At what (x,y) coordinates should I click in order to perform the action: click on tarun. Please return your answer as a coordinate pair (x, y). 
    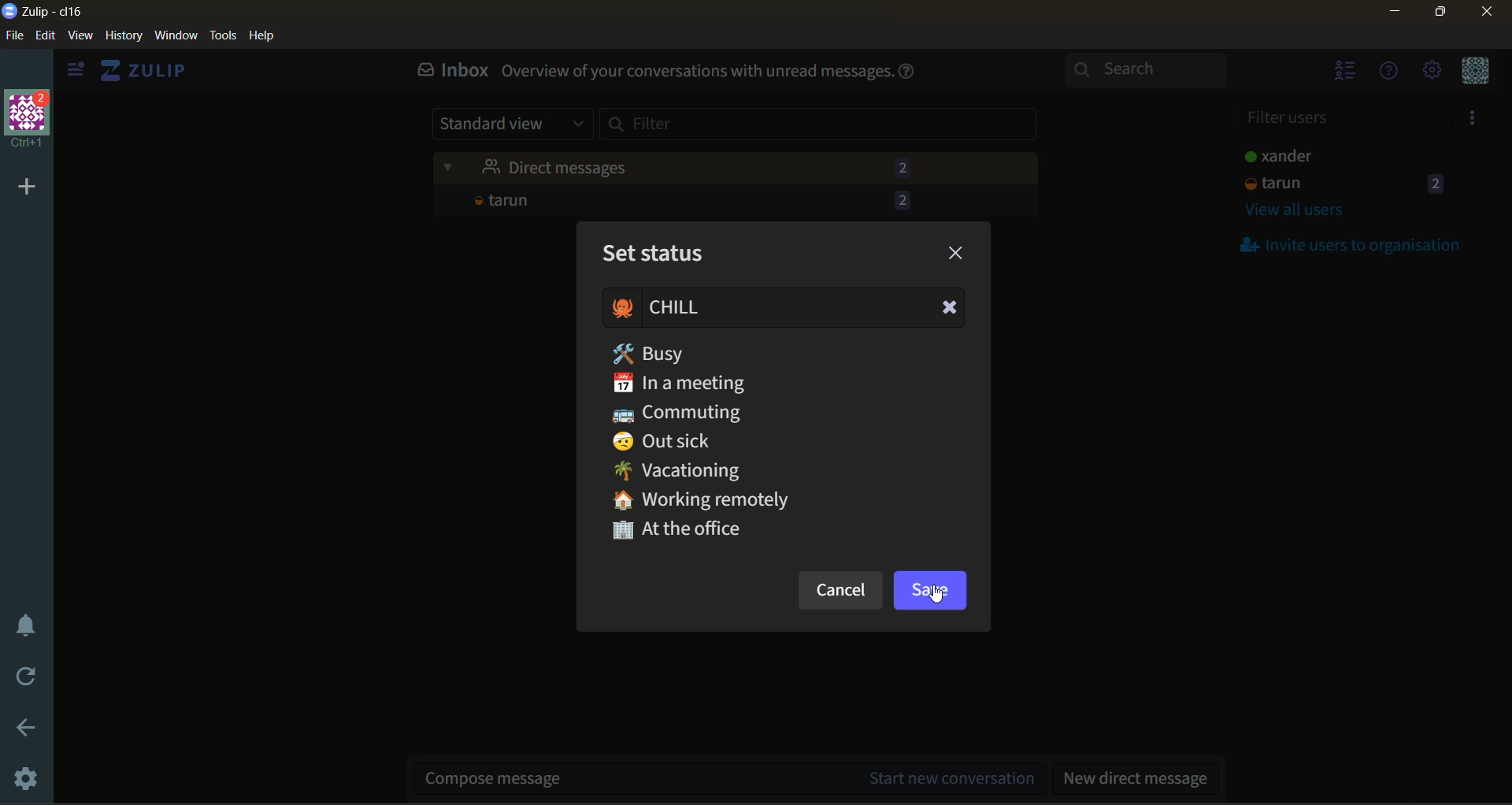
    Looking at the image, I should click on (1352, 184).